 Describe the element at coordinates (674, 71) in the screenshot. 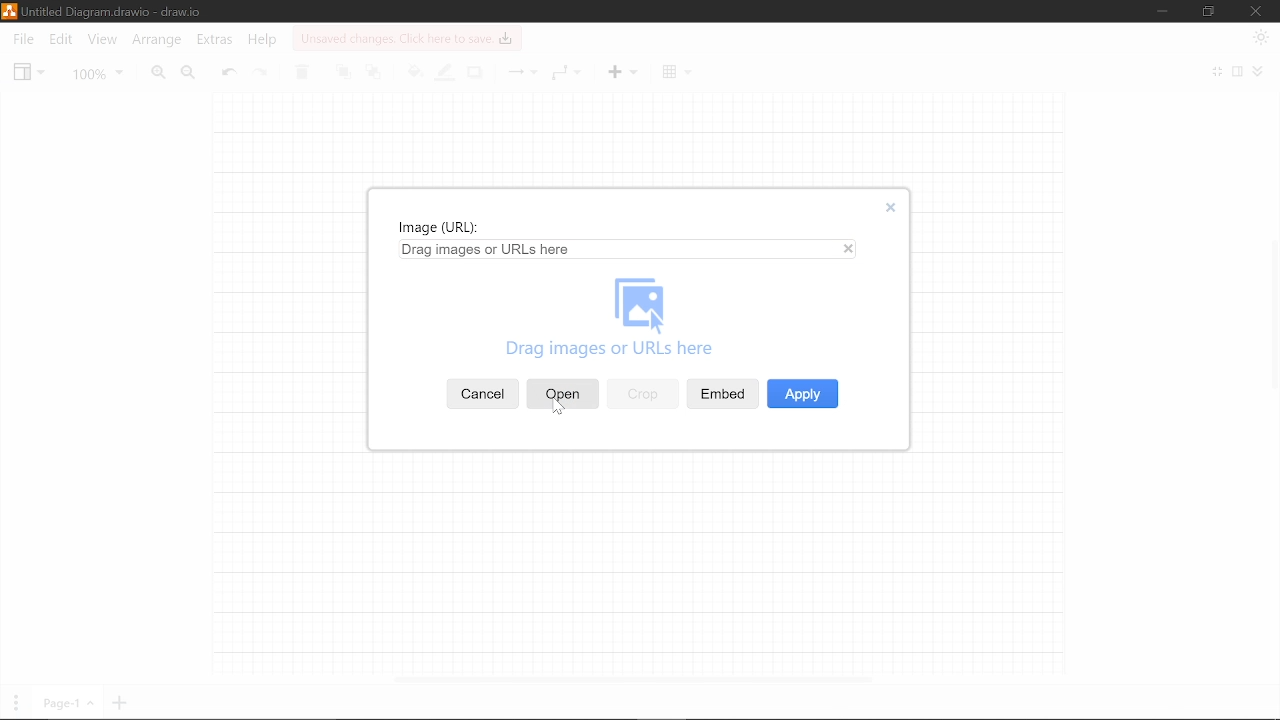

I see `Table` at that location.